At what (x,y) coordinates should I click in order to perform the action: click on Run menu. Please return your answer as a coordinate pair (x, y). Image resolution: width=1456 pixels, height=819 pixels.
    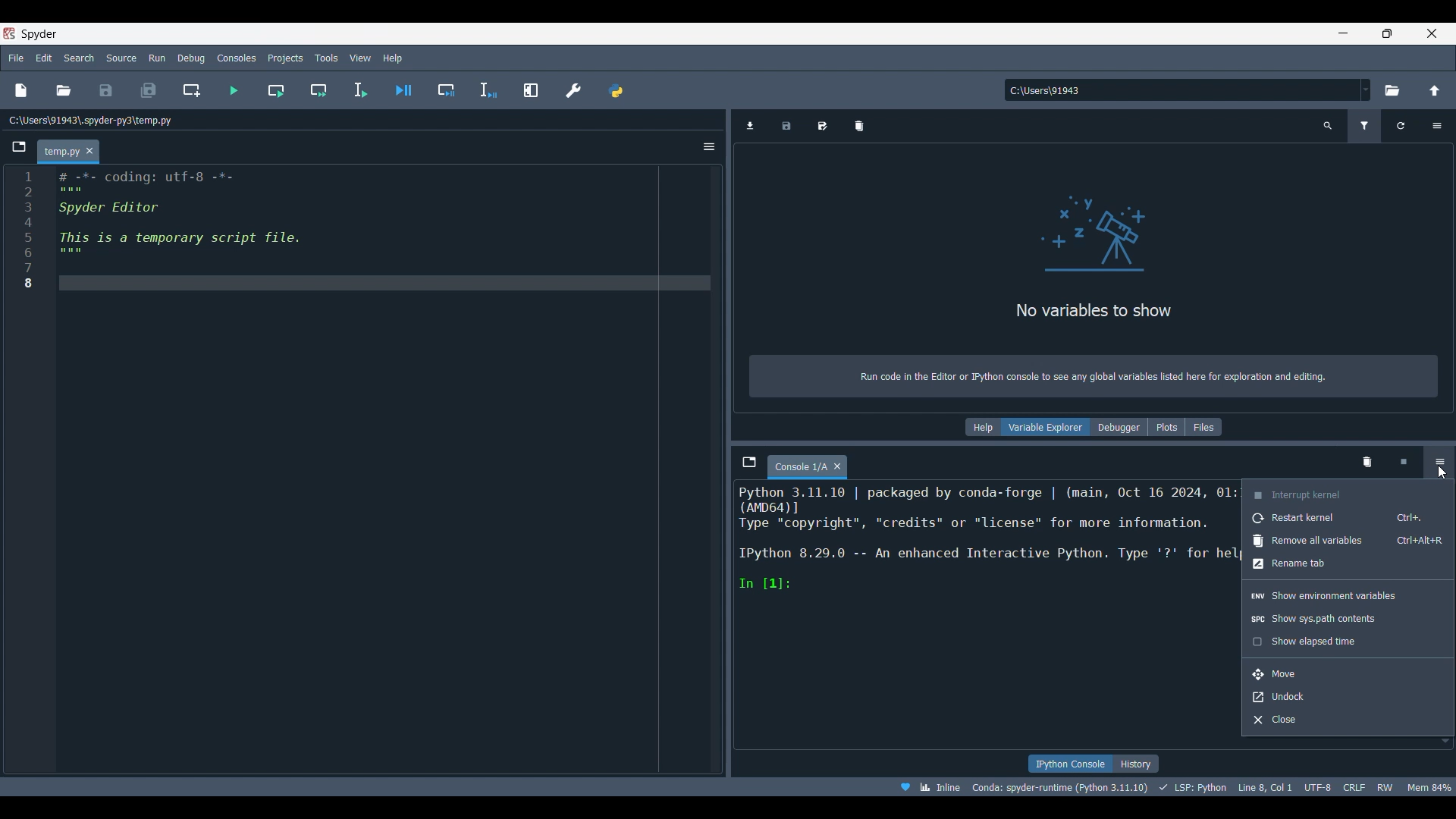
    Looking at the image, I should click on (158, 58).